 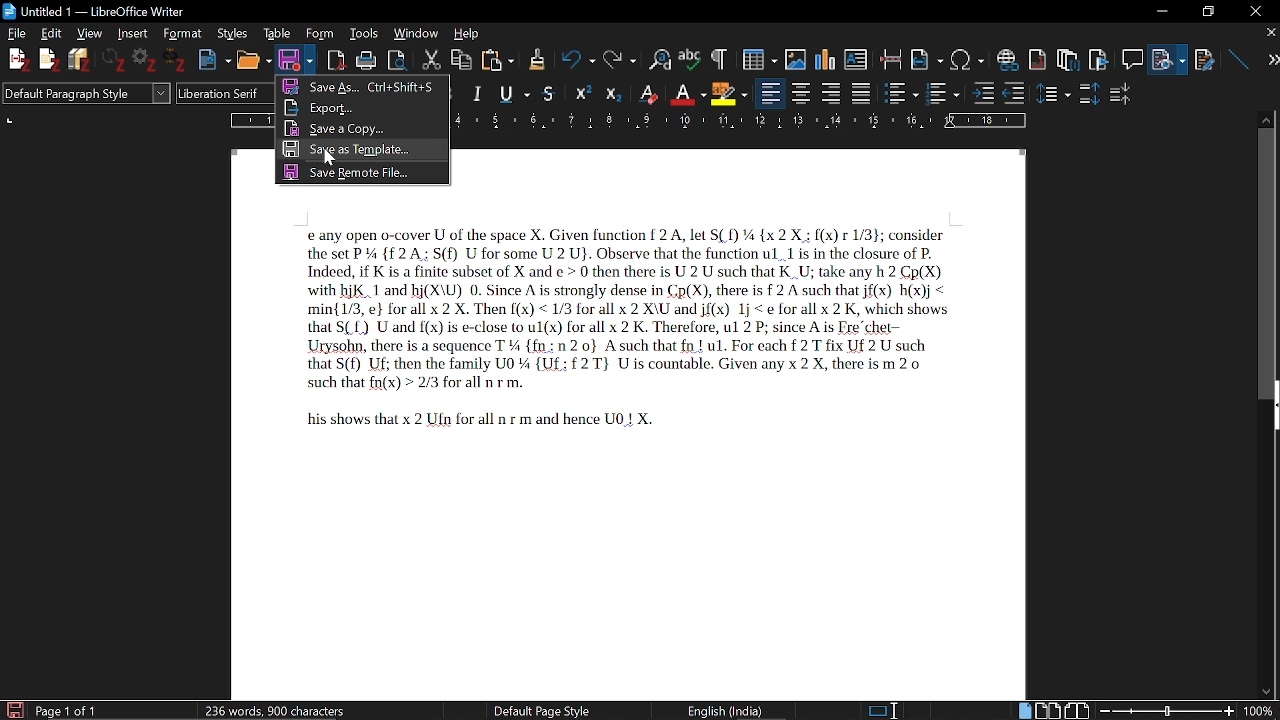 I want to click on vertical scroll bar, so click(x=1267, y=262).